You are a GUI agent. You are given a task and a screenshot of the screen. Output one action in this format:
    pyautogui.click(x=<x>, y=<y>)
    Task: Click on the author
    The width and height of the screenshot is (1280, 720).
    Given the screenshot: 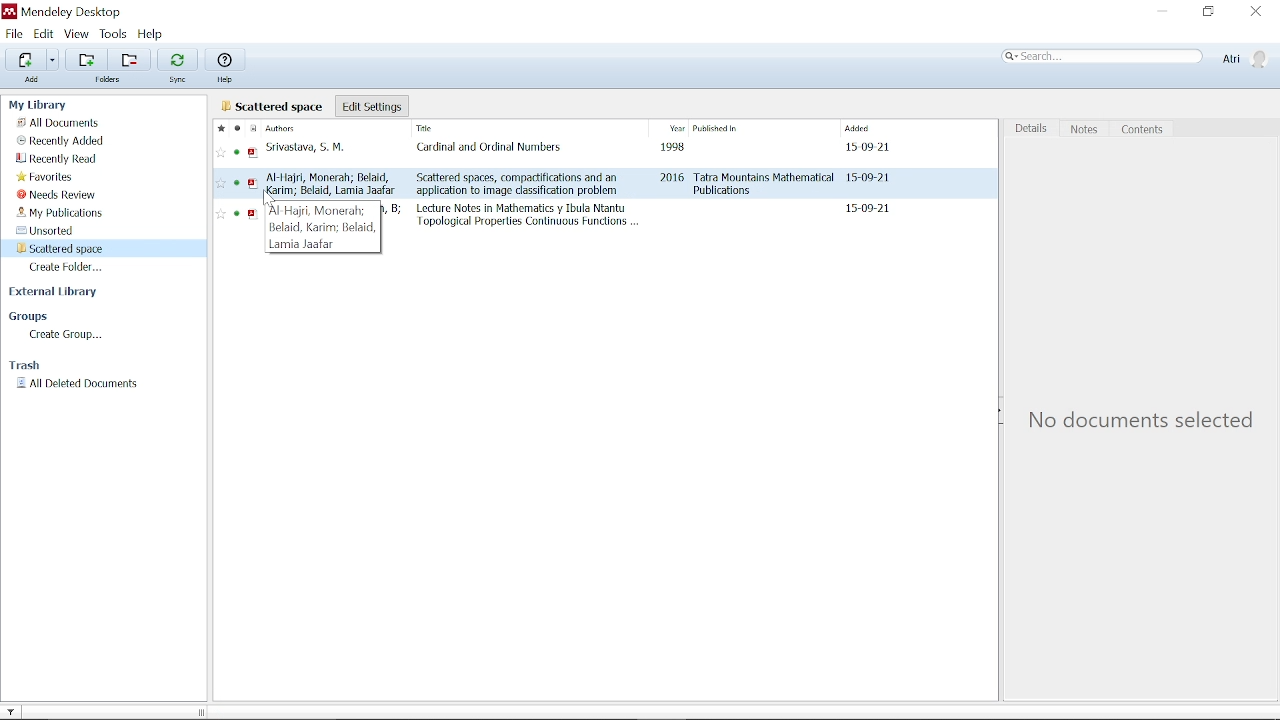 What is the action you would take?
    pyautogui.click(x=310, y=150)
    